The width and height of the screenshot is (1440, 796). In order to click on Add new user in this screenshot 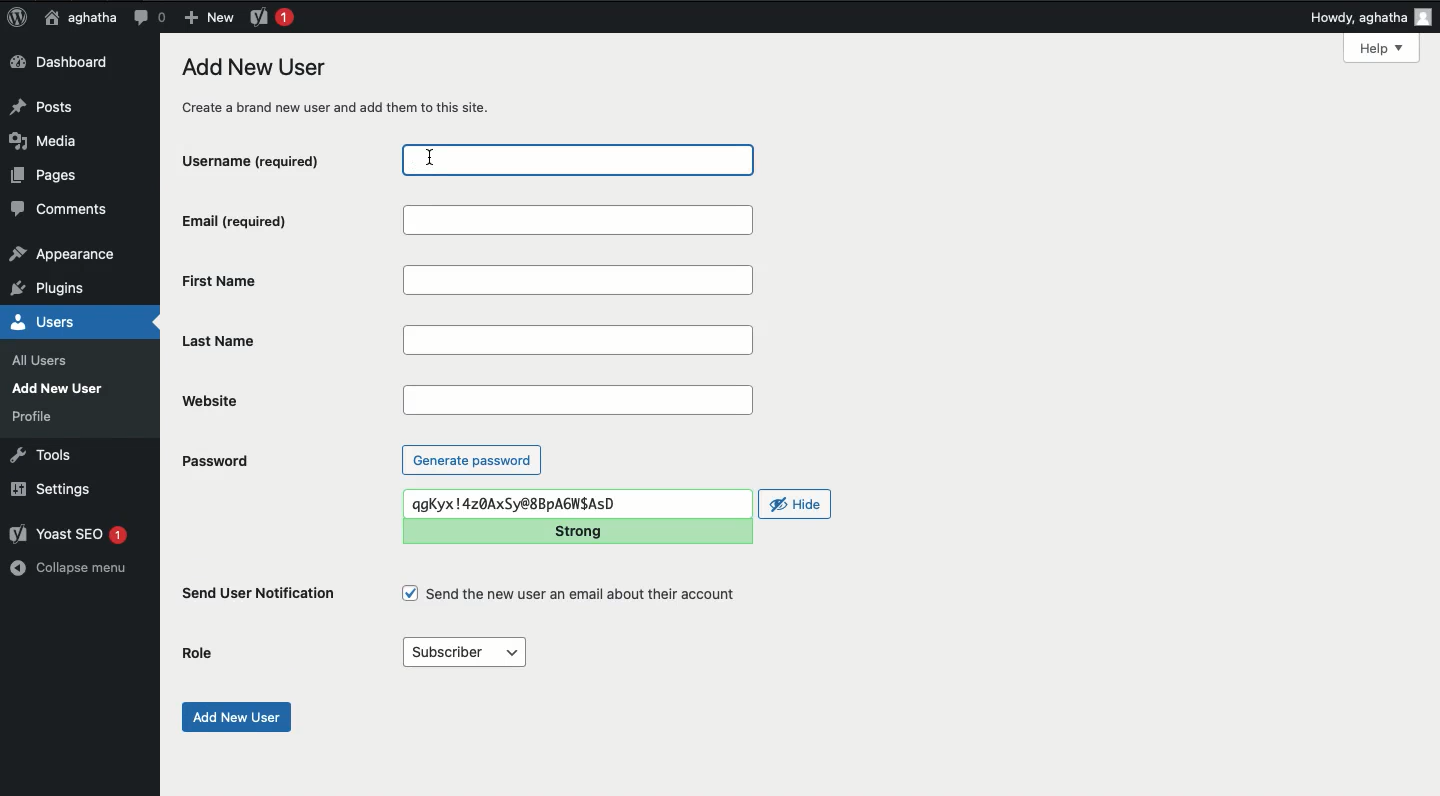, I will do `click(234, 717)`.